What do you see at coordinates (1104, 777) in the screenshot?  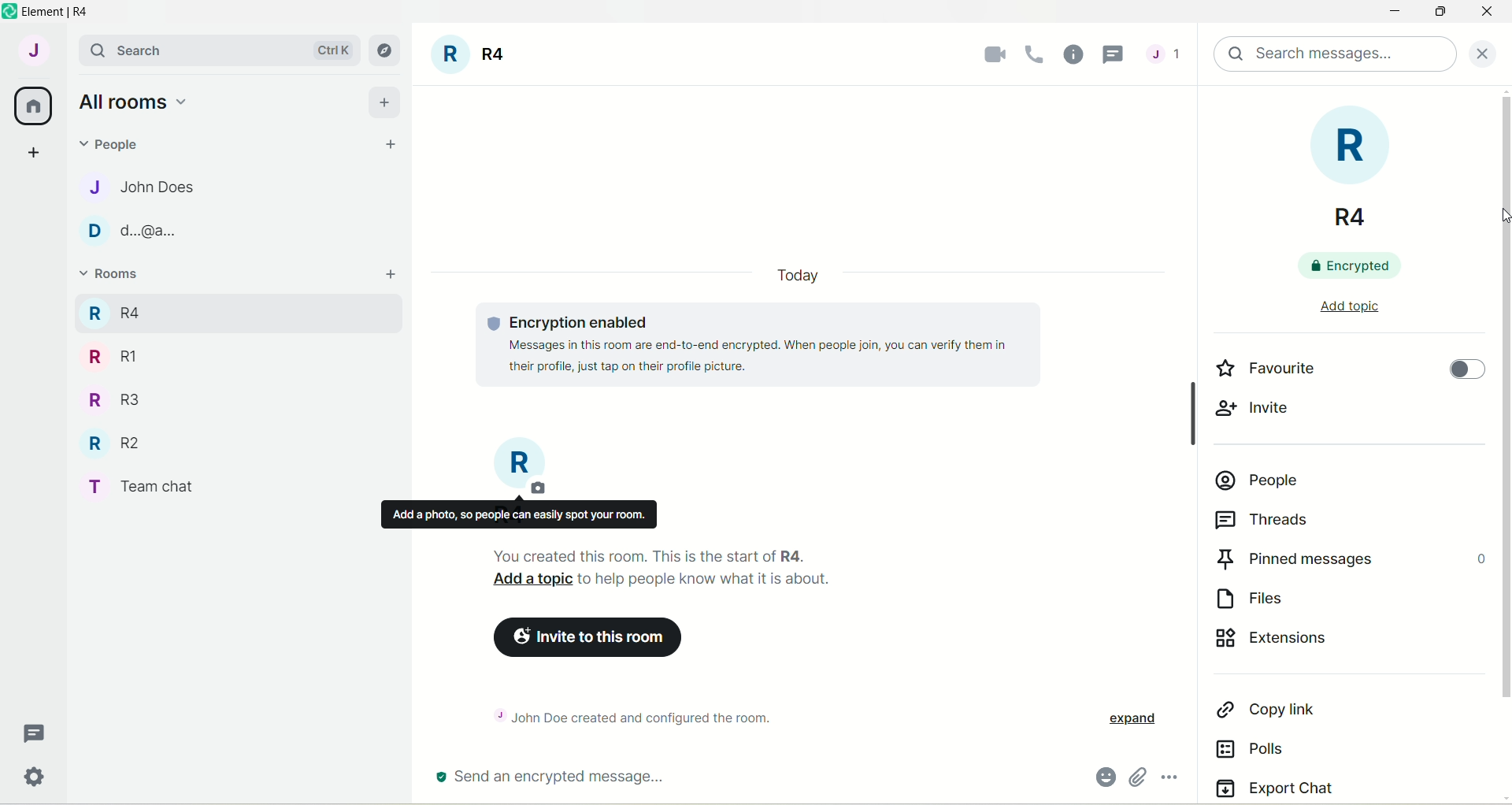 I see `emoji` at bounding box center [1104, 777].